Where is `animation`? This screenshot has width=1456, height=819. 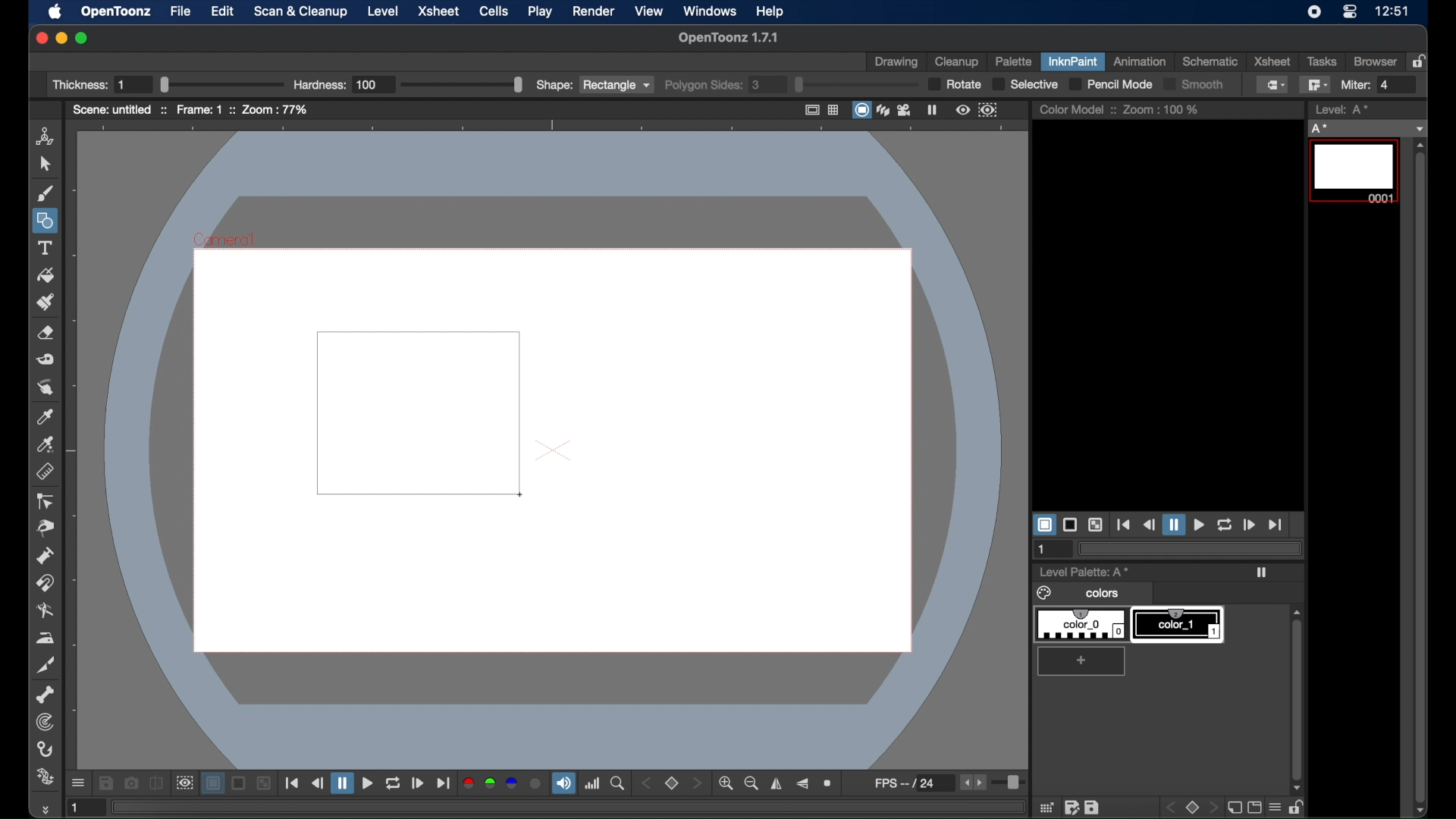
animation is located at coordinates (1141, 61).